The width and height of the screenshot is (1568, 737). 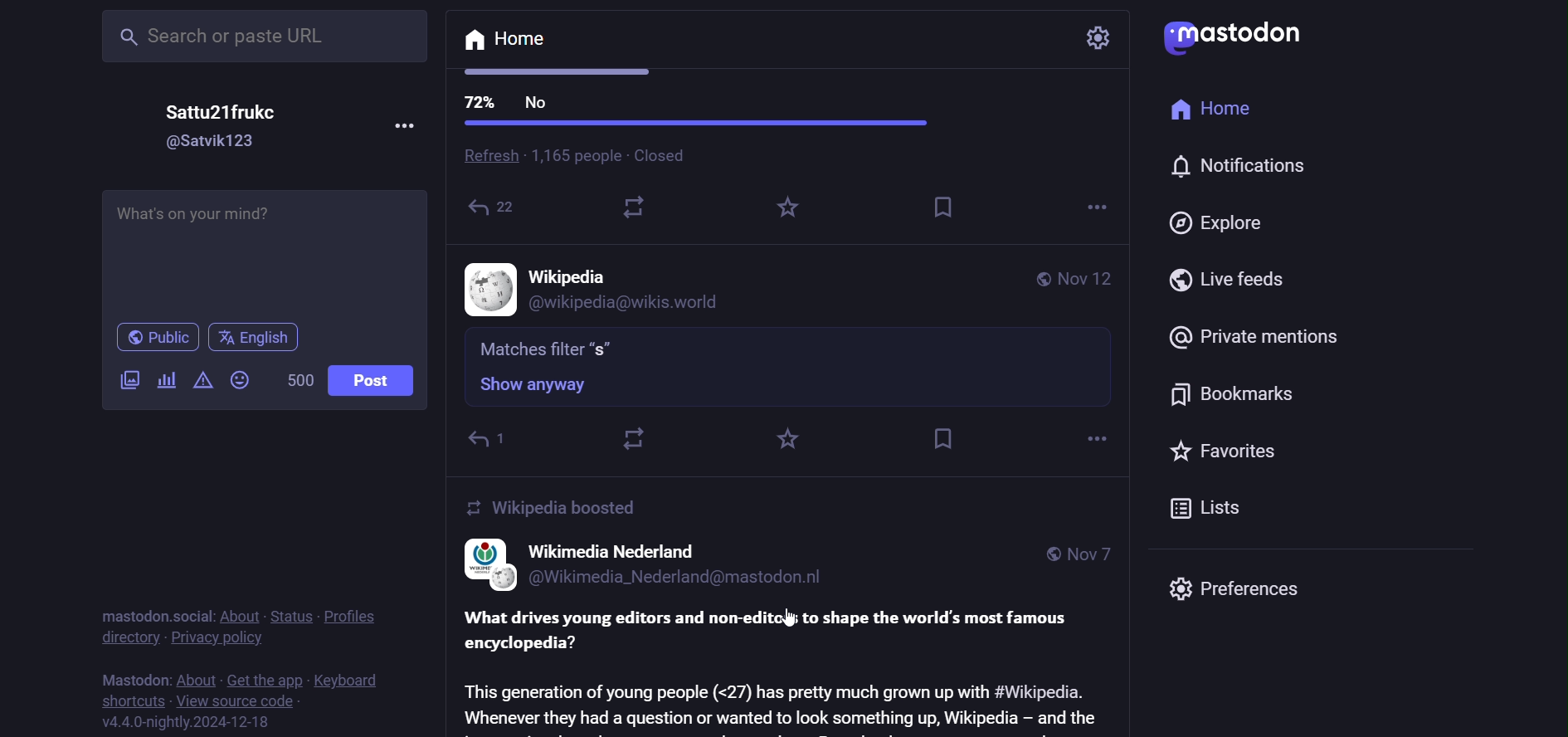 I want to click on @wikipedia@wikis.world, so click(x=641, y=304).